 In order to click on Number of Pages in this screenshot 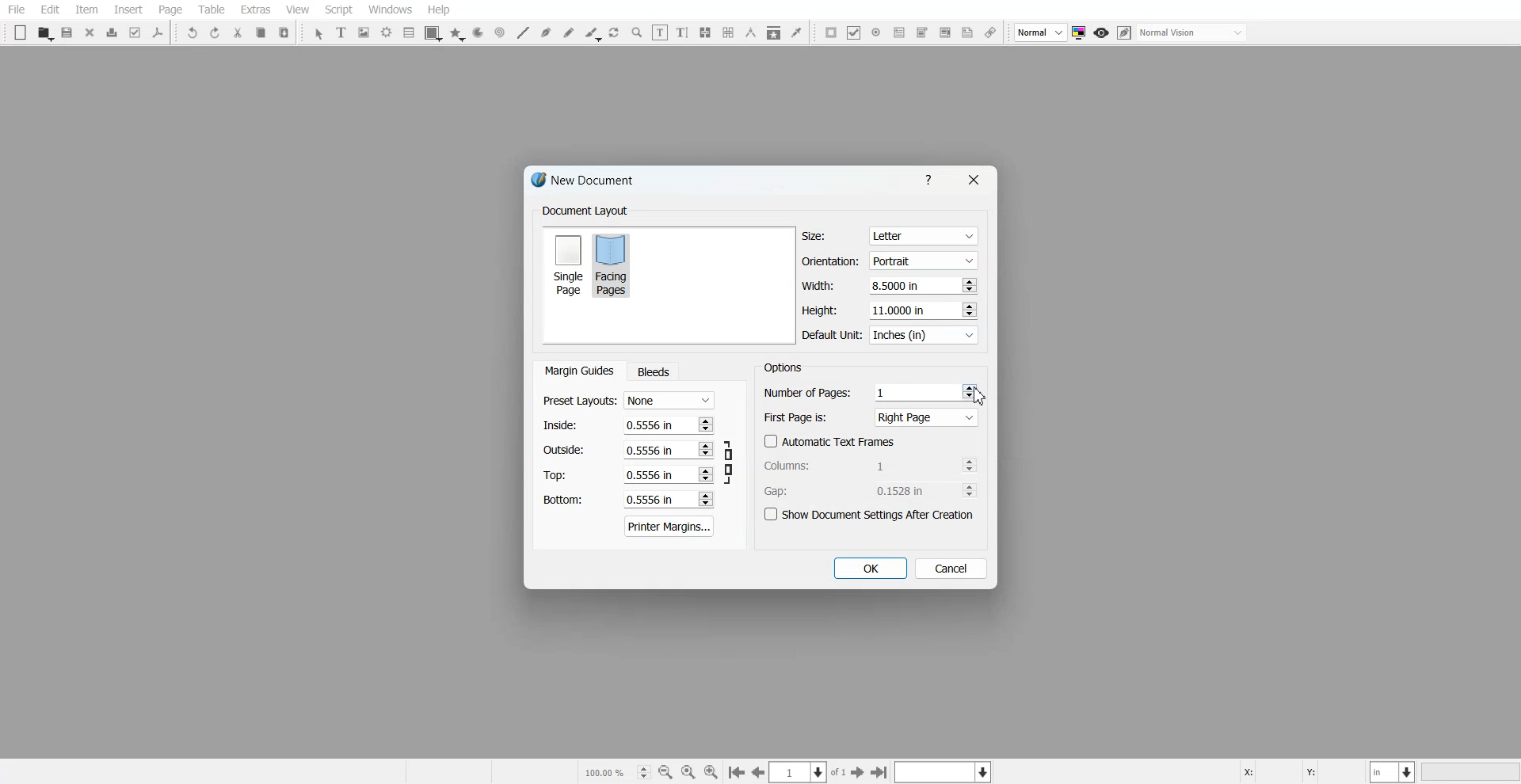, I will do `click(871, 392)`.